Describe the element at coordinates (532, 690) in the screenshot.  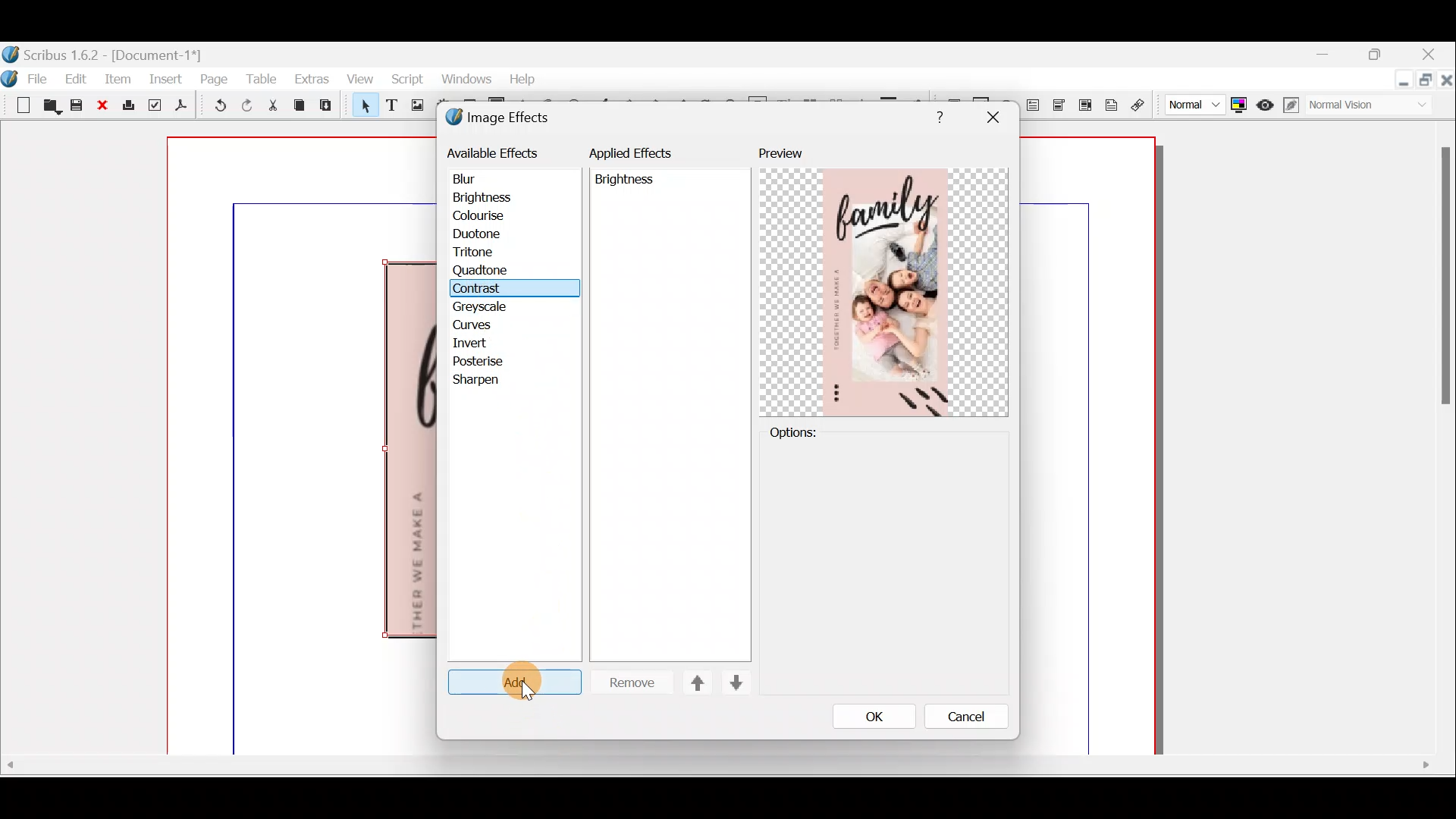
I see `Cursor` at that location.